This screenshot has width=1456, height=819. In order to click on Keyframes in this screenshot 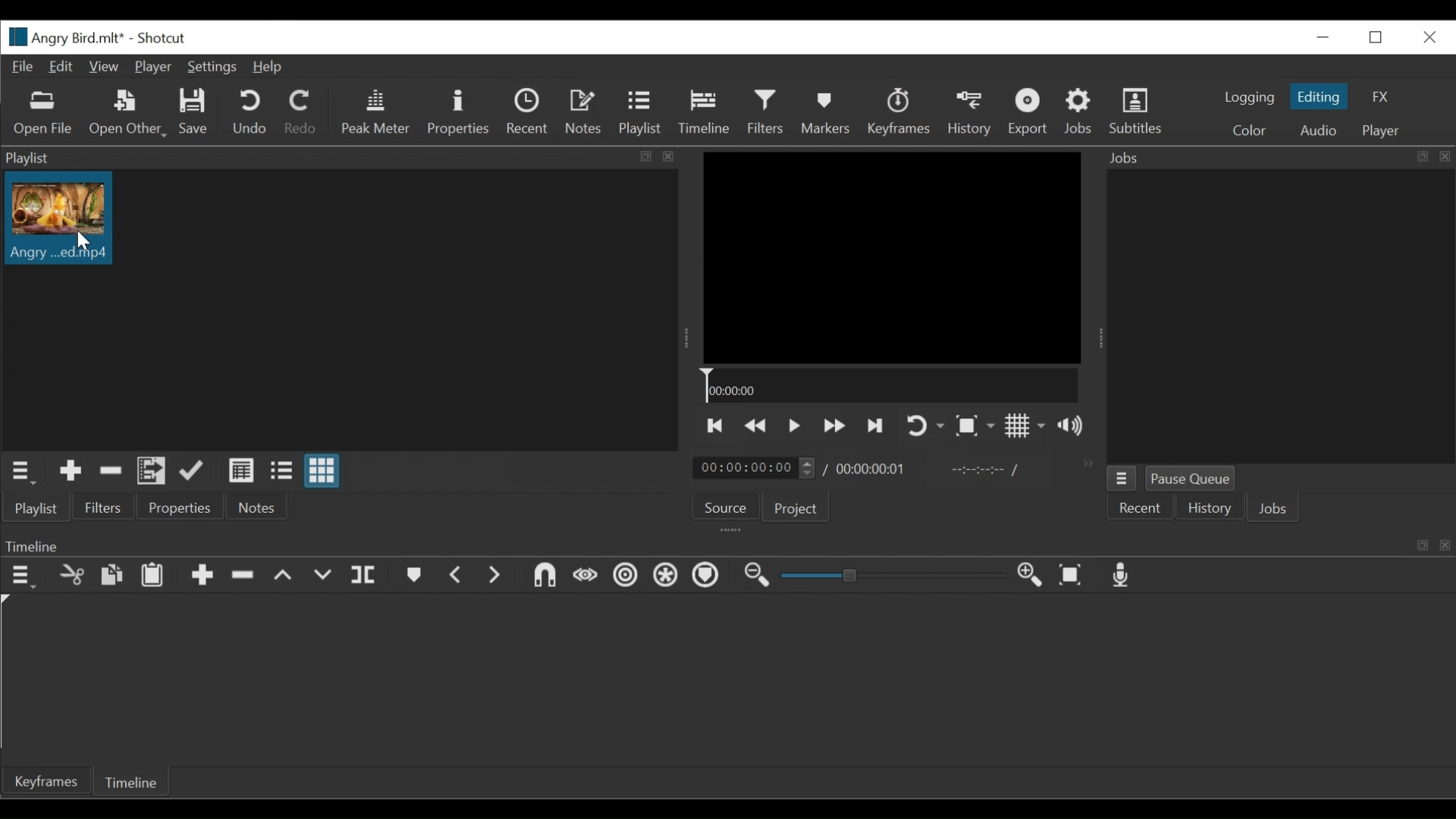, I will do `click(899, 111)`.